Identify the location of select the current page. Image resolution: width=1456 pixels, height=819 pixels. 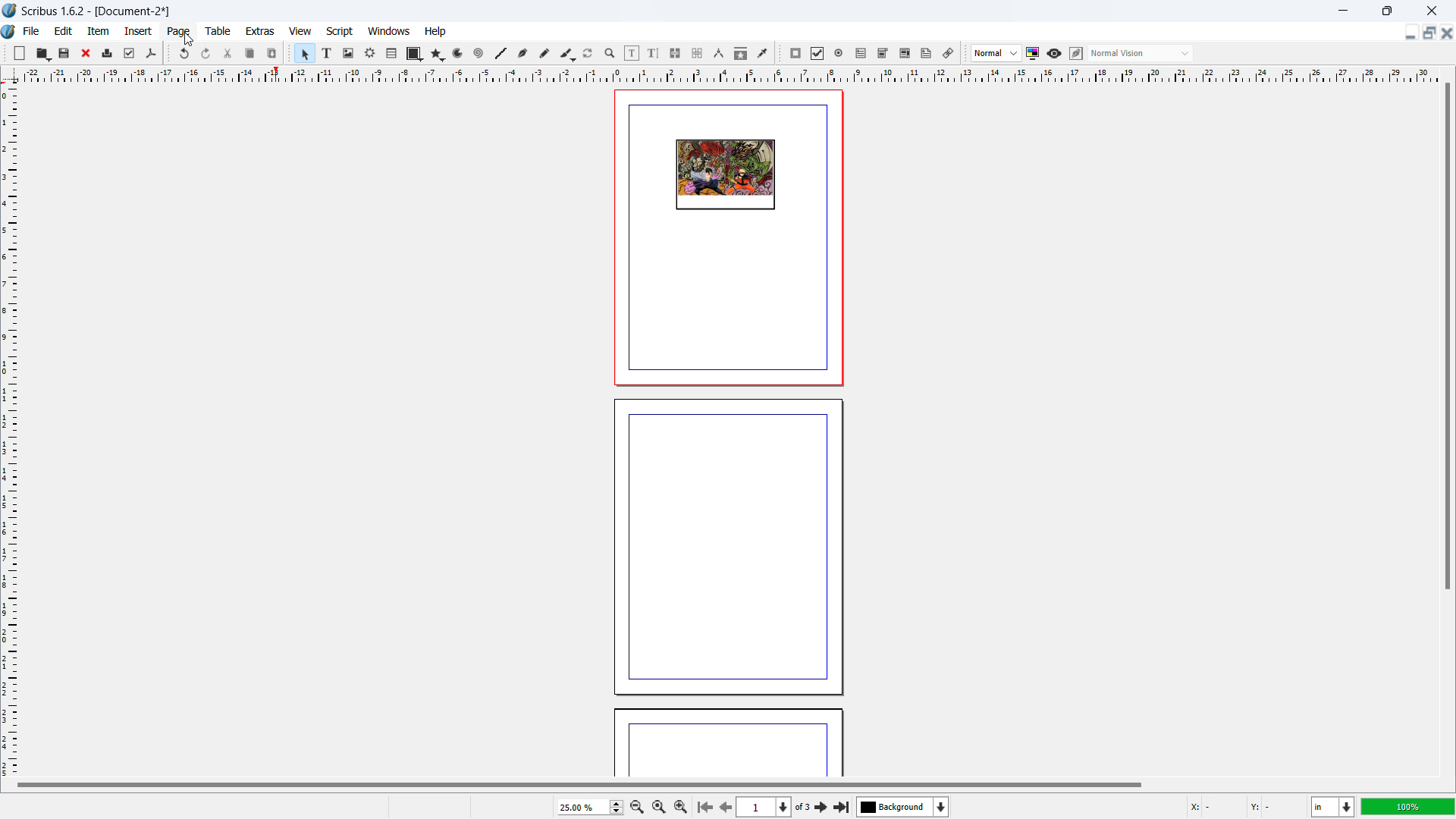
(764, 808).